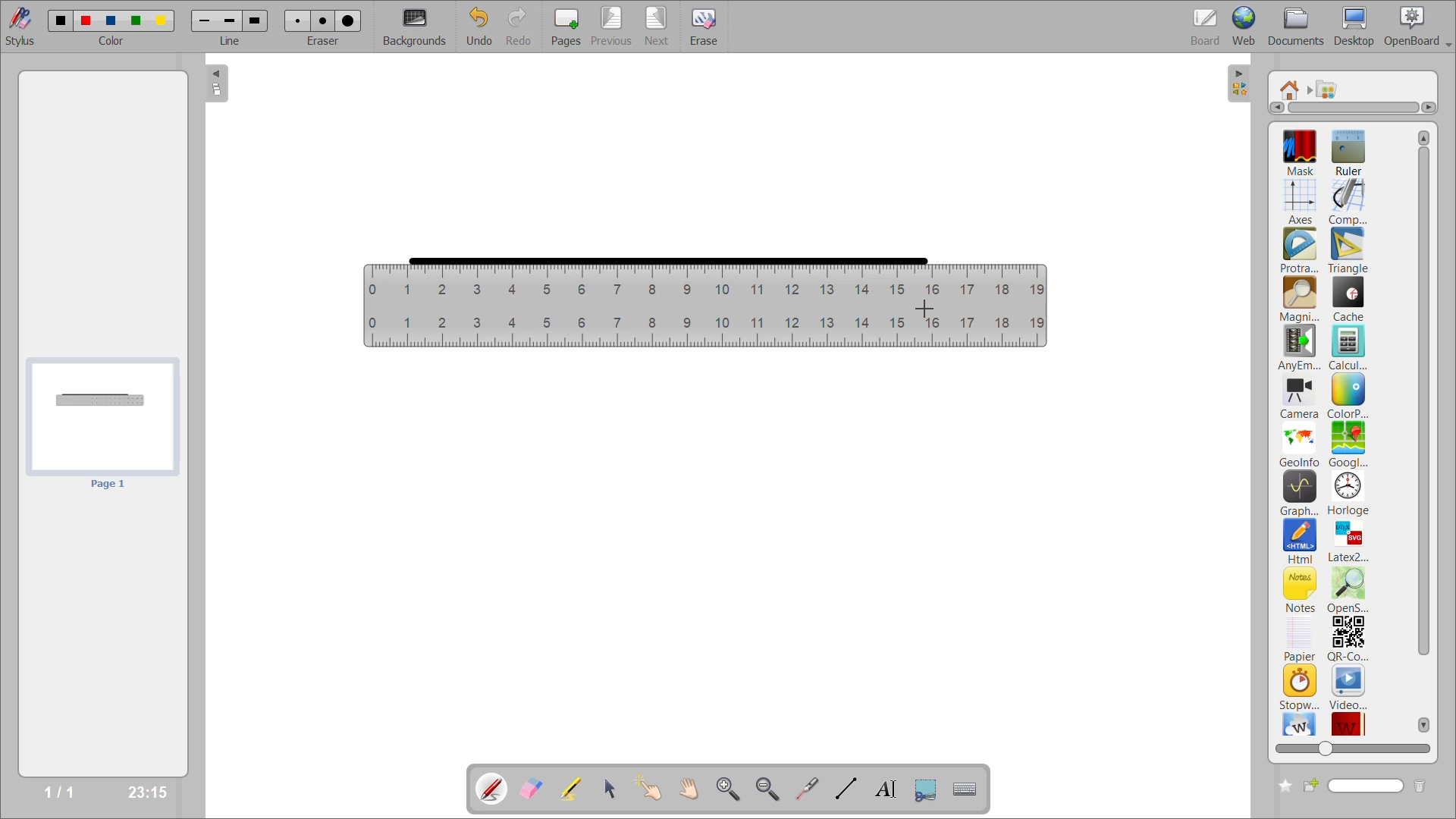  I want to click on openstreetmap, so click(1351, 591).